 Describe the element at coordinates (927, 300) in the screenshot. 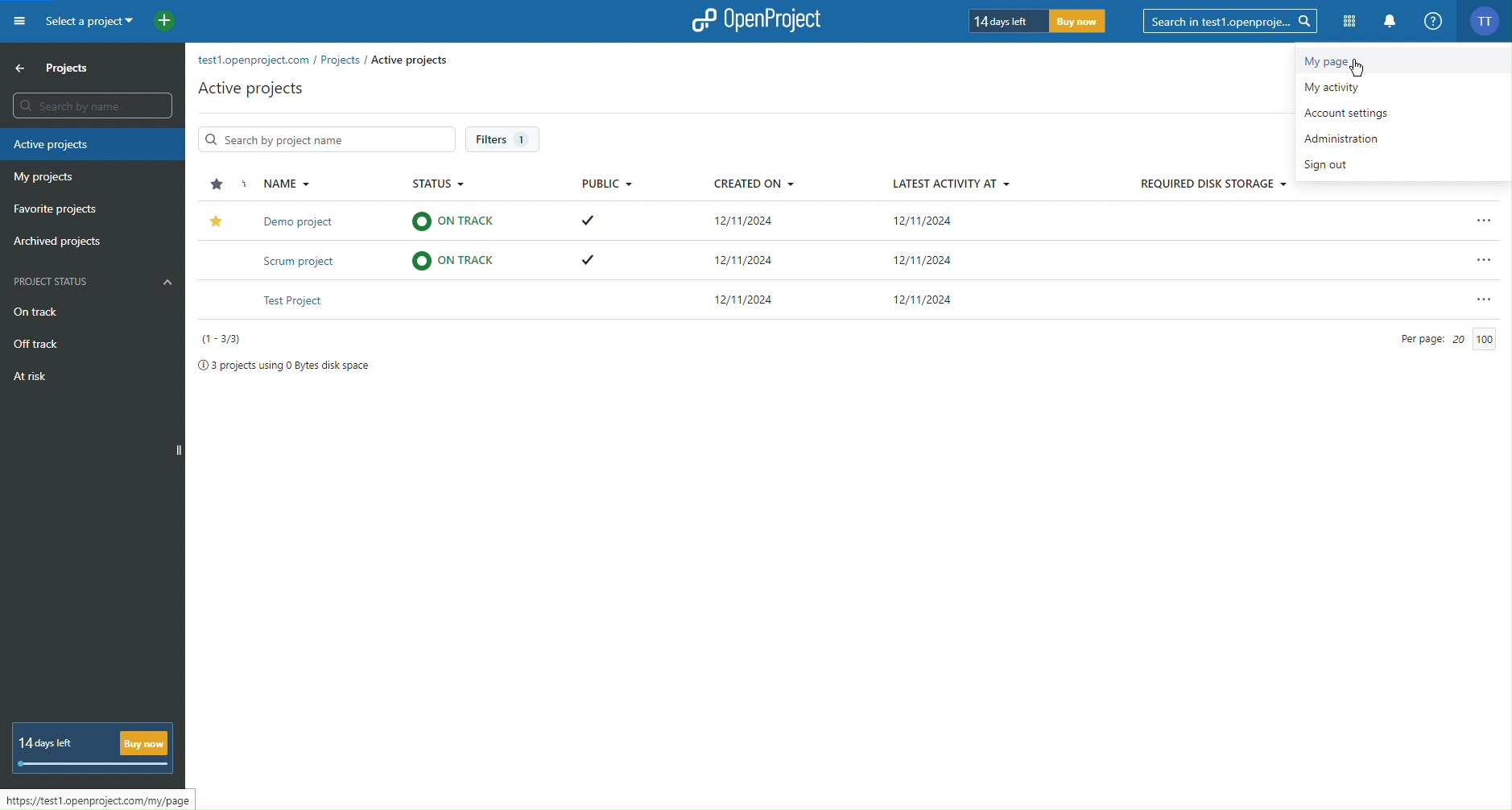

I see `12/11/2024` at that location.